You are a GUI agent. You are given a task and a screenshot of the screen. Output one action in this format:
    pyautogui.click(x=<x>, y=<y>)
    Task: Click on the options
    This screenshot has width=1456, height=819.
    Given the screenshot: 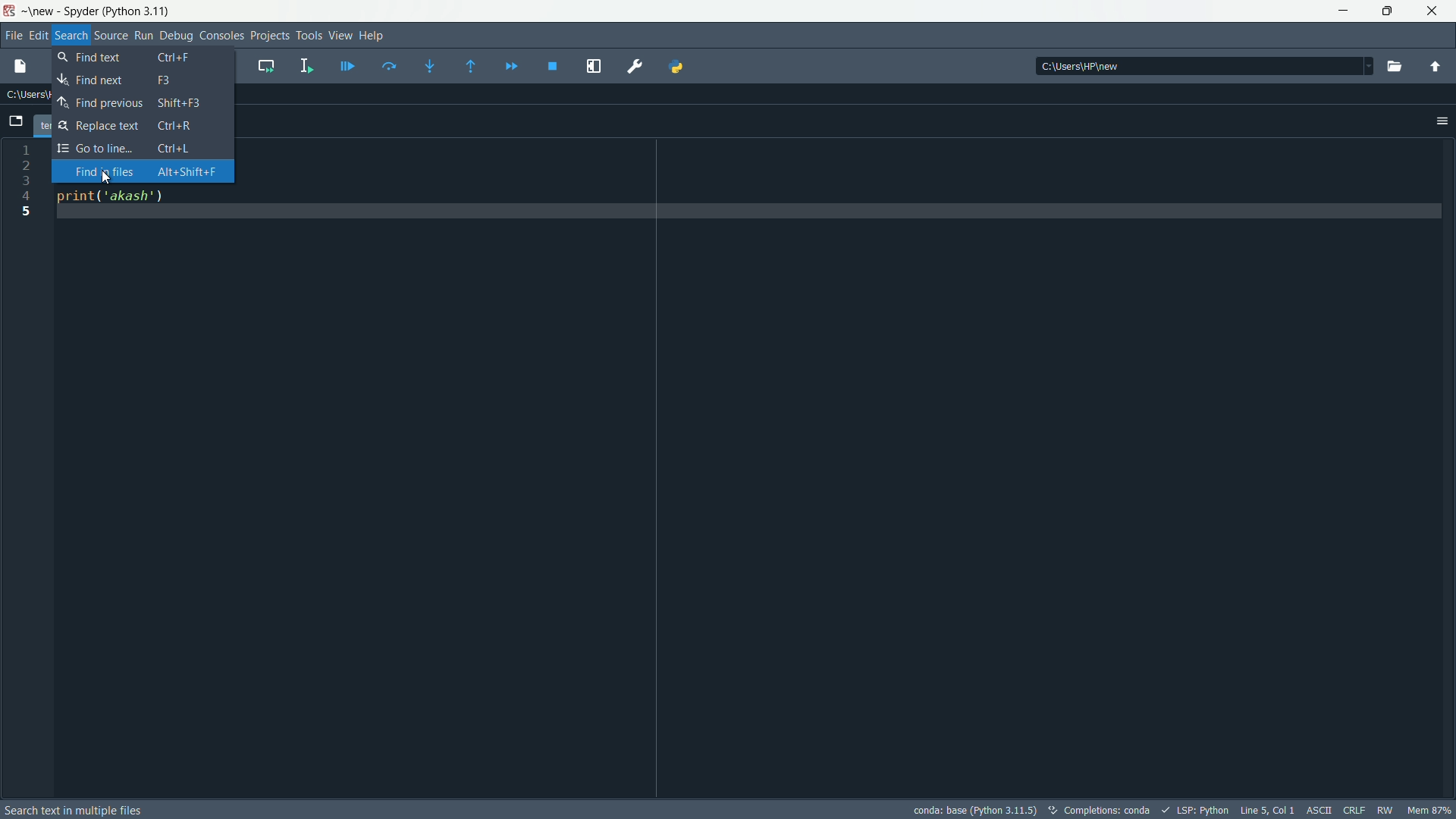 What is the action you would take?
    pyautogui.click(x=1442, y=121)
    